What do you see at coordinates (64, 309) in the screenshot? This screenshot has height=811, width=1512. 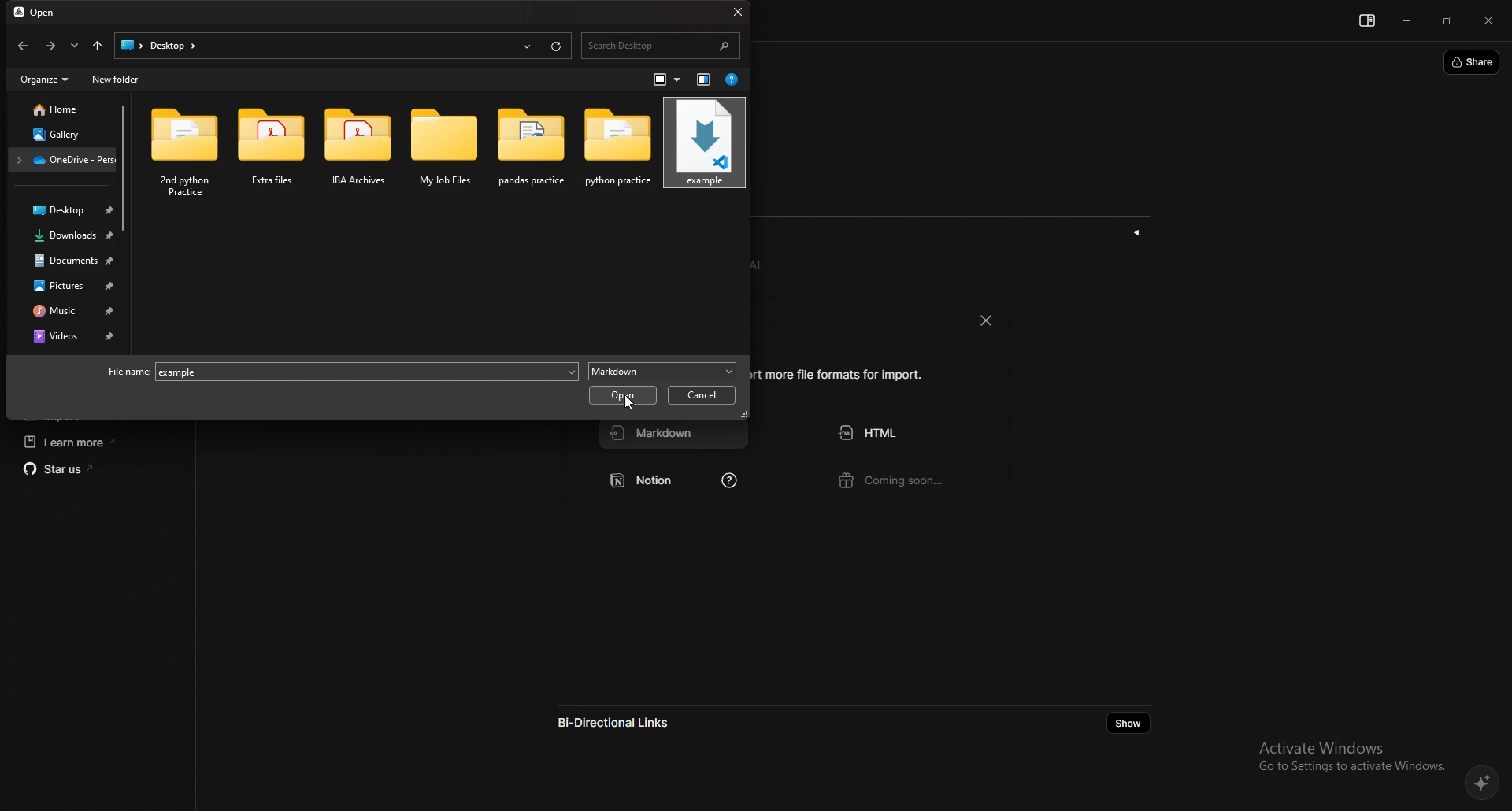 I see `music` at bounding box center [64, 309].